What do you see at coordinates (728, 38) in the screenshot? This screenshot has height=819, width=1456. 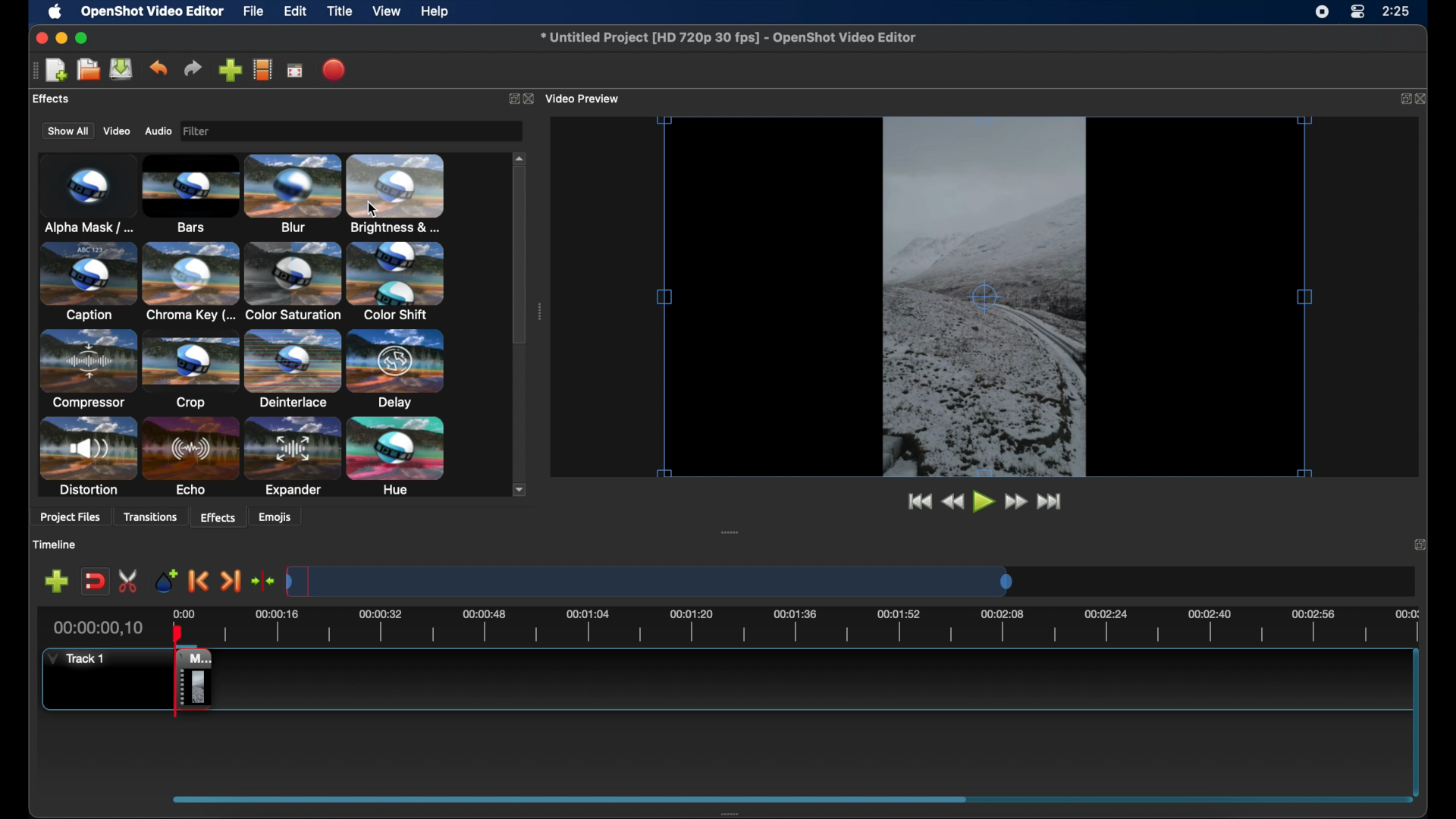 I see `file name` at bounding box center [728, 38].